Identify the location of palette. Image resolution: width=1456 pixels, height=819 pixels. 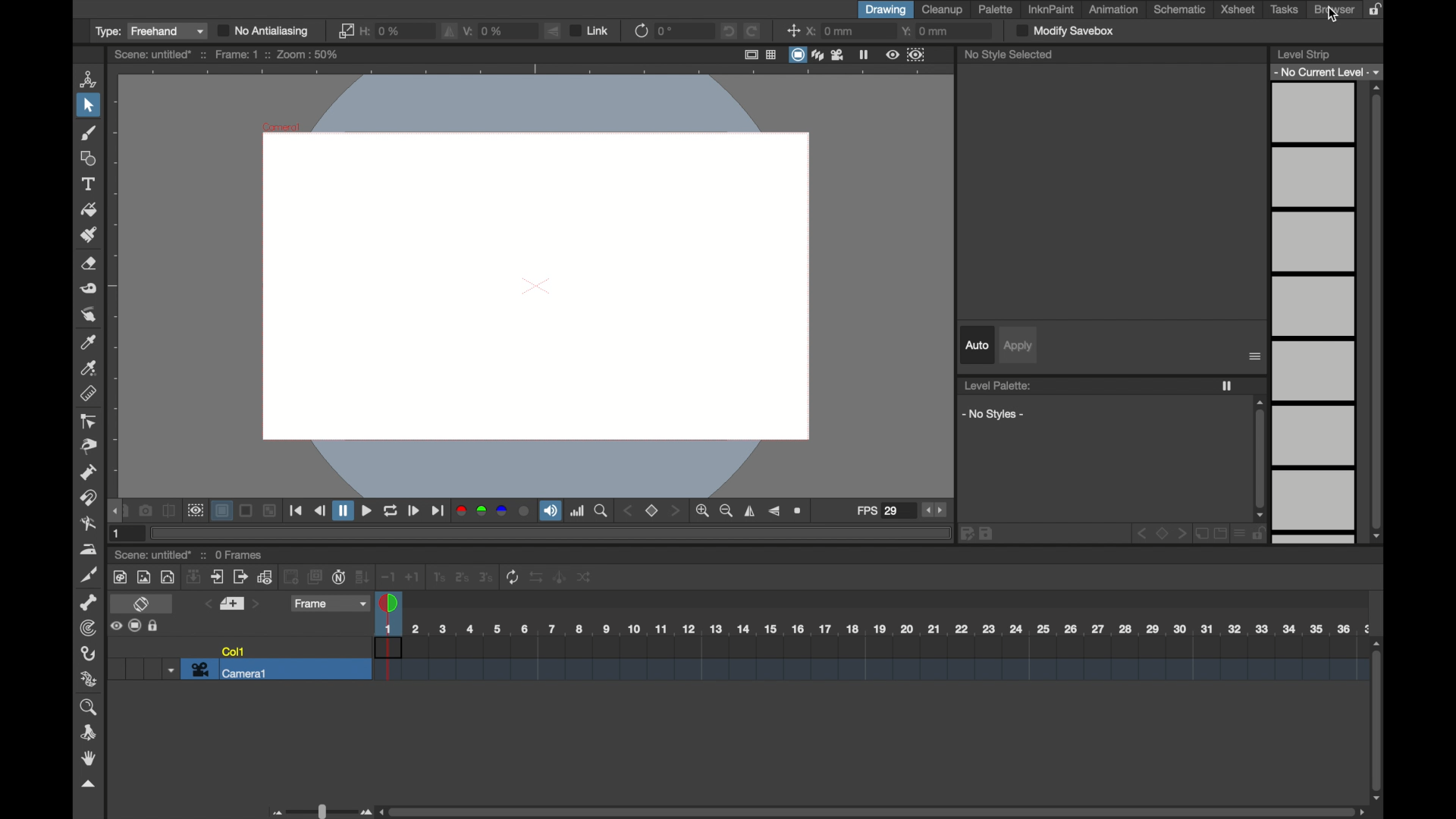
(996, 9).